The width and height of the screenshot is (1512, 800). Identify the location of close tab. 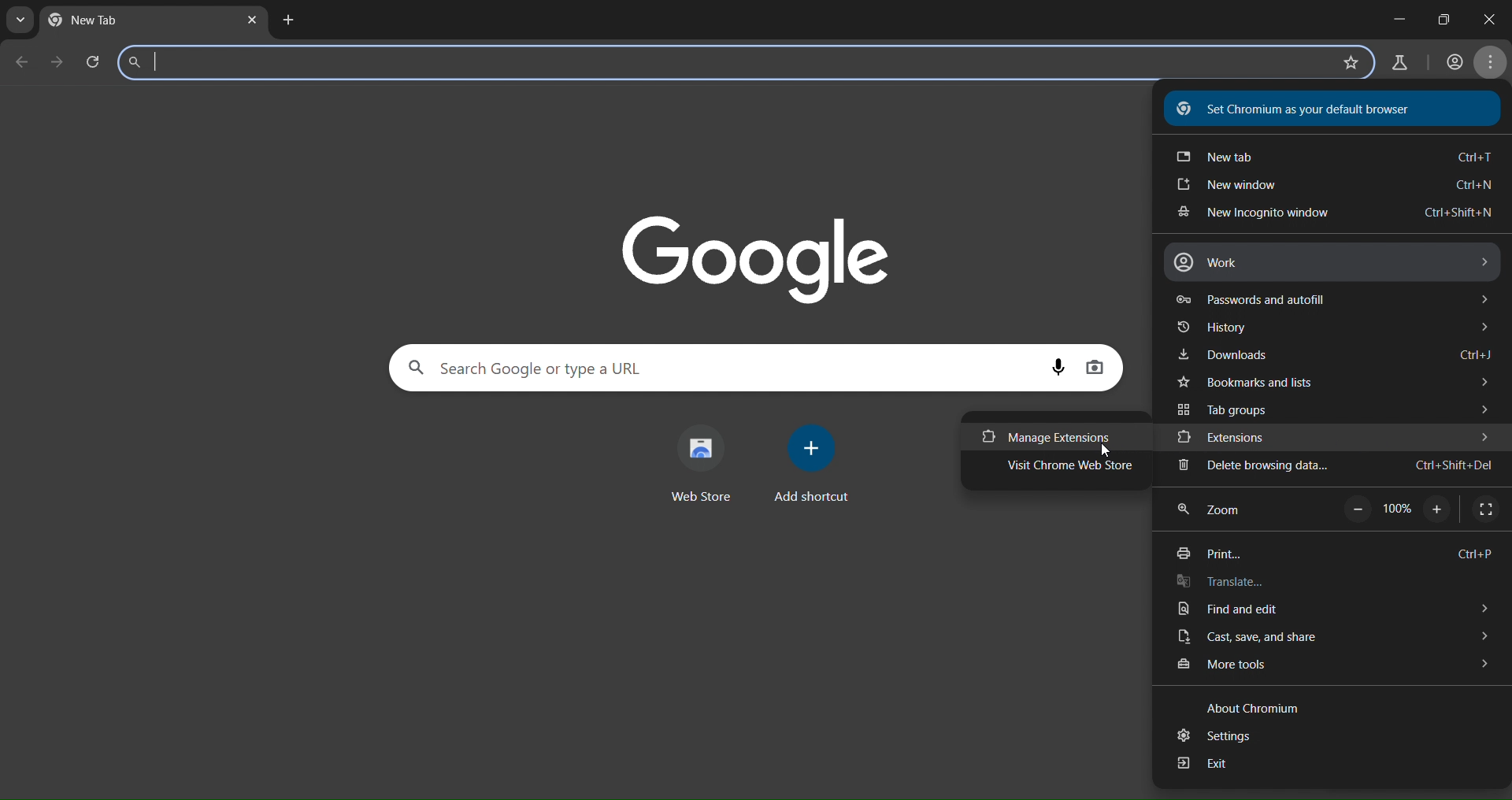
(252, 20).